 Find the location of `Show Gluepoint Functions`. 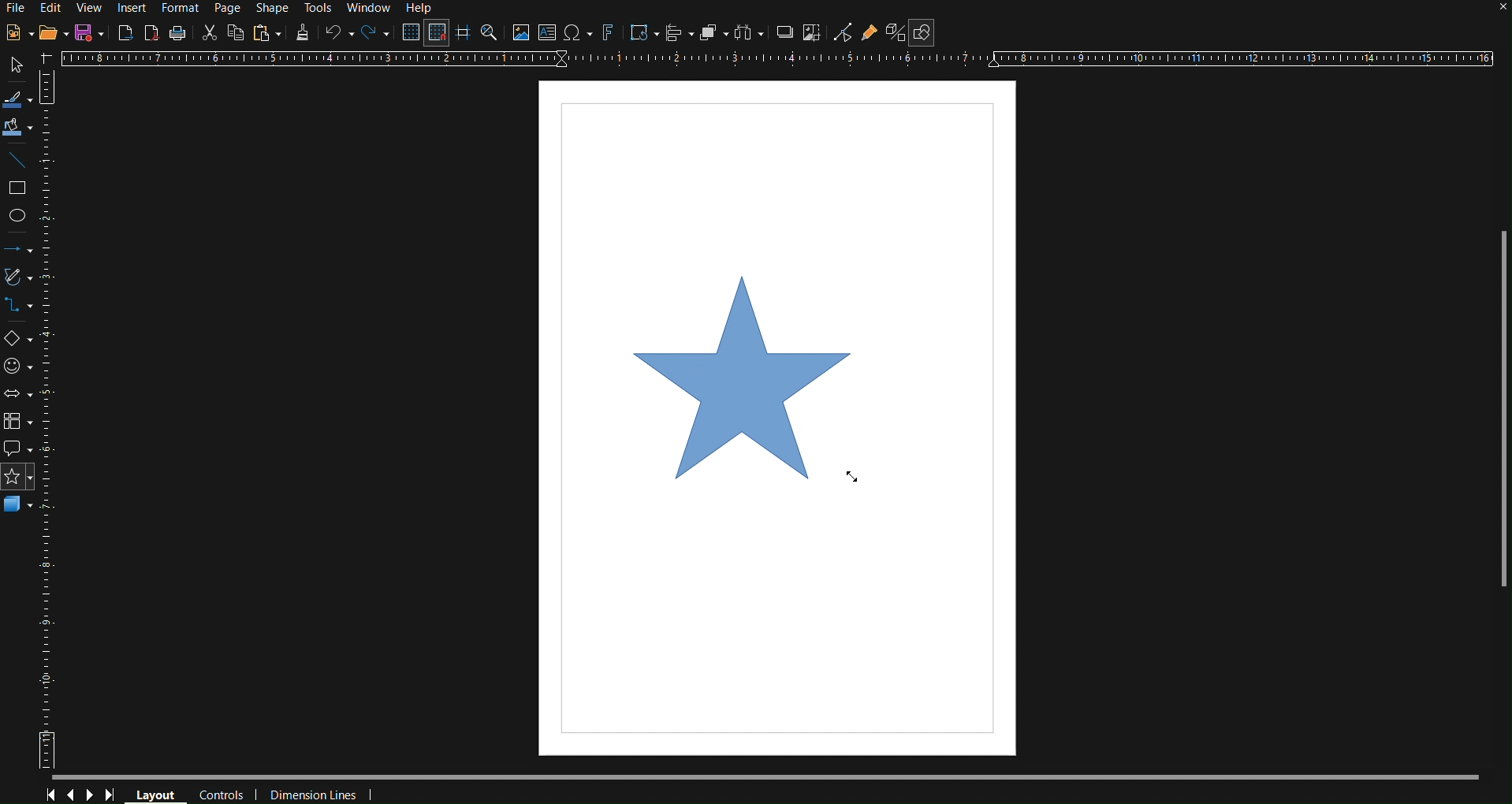

Show Gluepoint Functions is located at coordinates (871, 33).